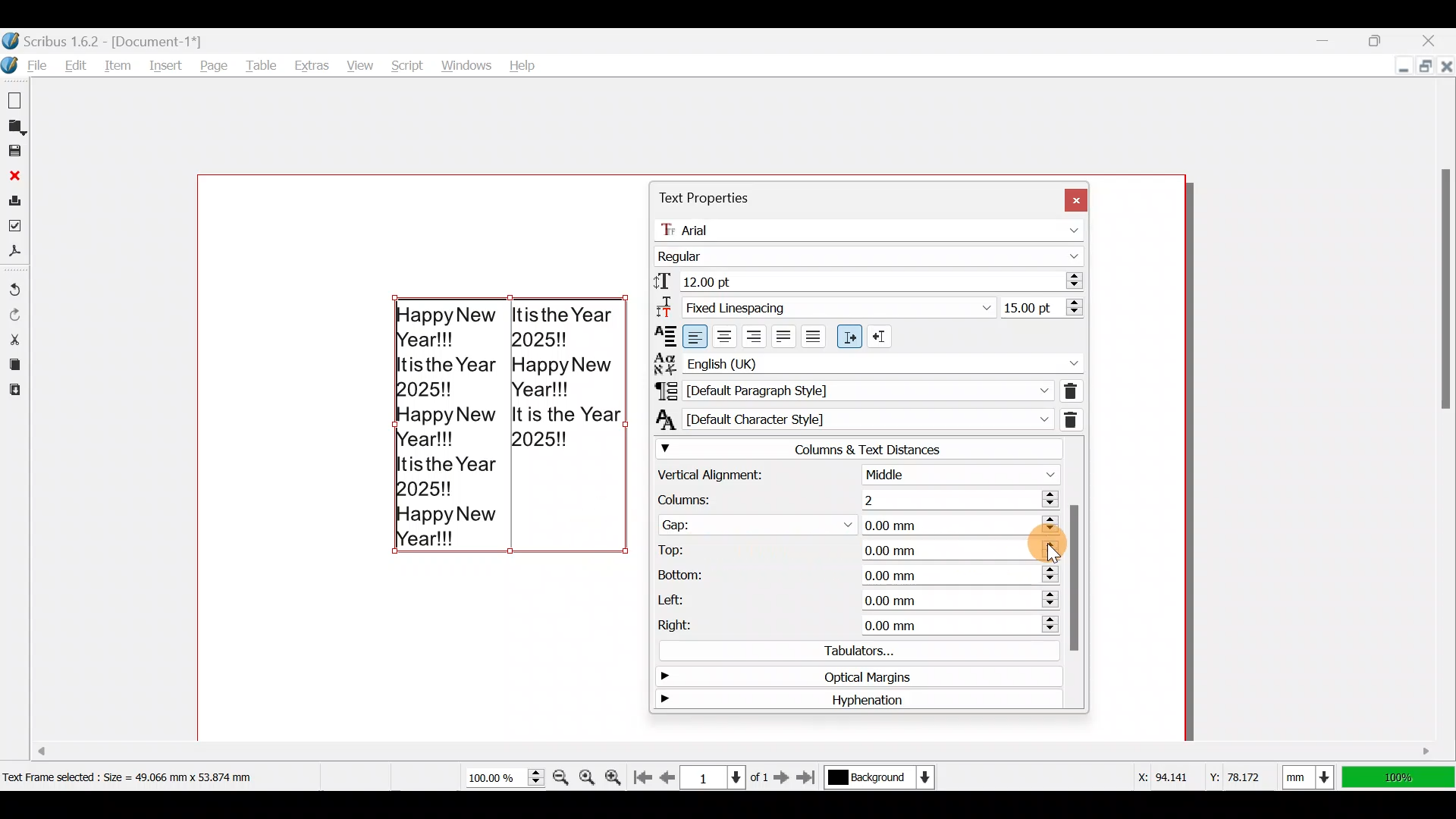 The height and width of the screenshot is (819, 1456). Describe the element at coordinates (1025, 547) in the screenshot. I see `Cursor on top (increase button)` at that location.